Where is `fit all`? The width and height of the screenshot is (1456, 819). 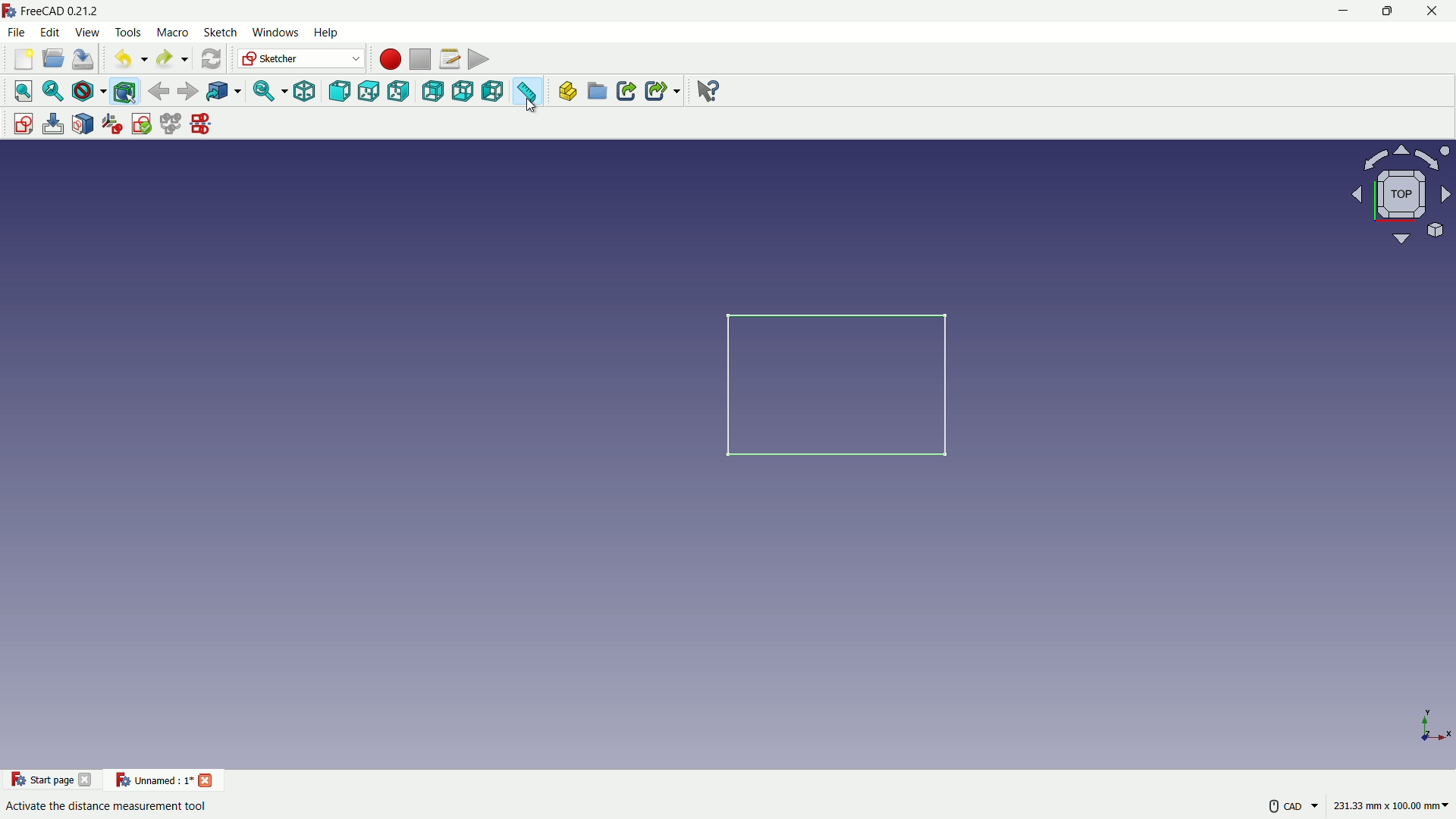
fit all is located at coordinates (20, 91).